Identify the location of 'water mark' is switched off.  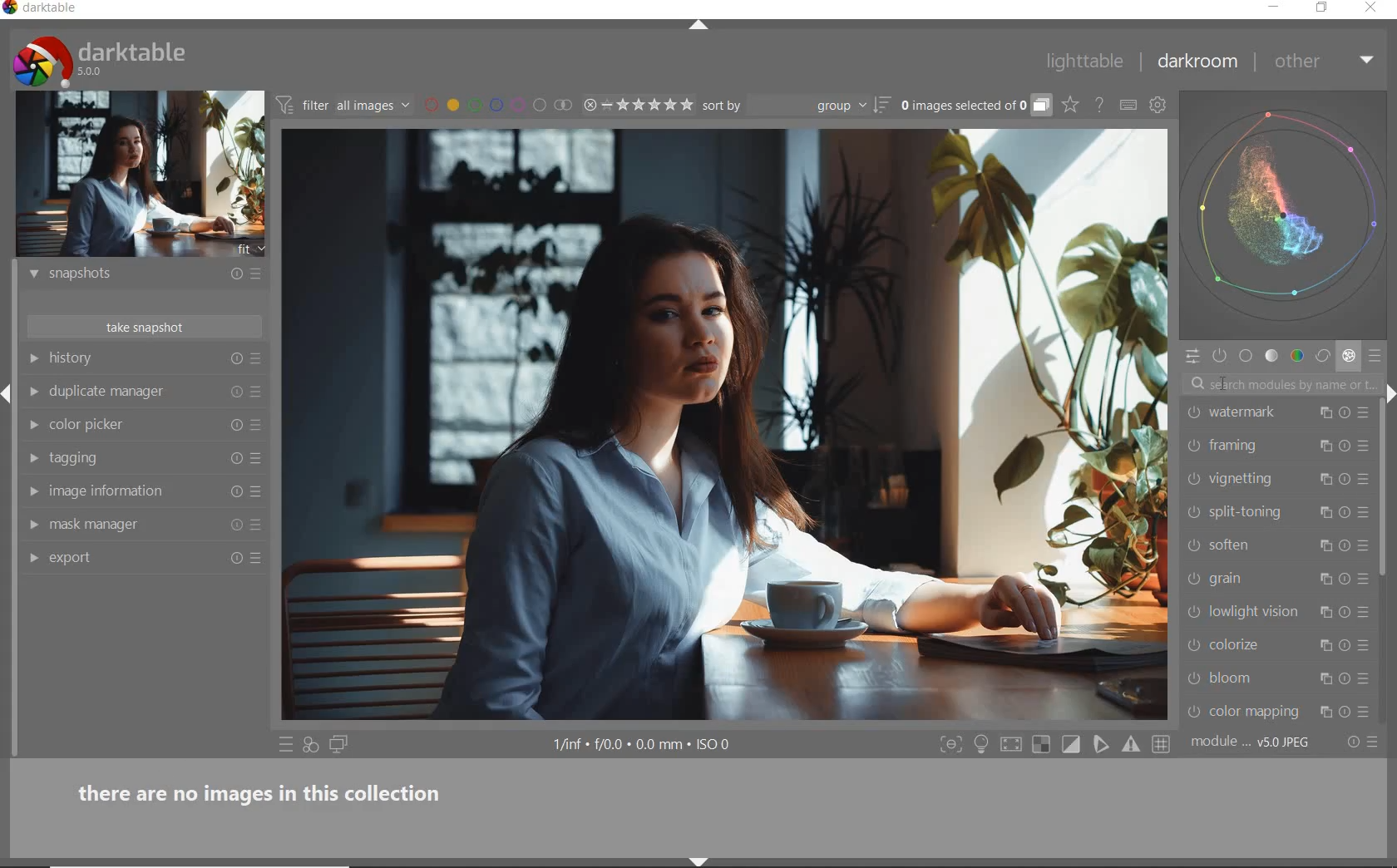
(1195, 412).